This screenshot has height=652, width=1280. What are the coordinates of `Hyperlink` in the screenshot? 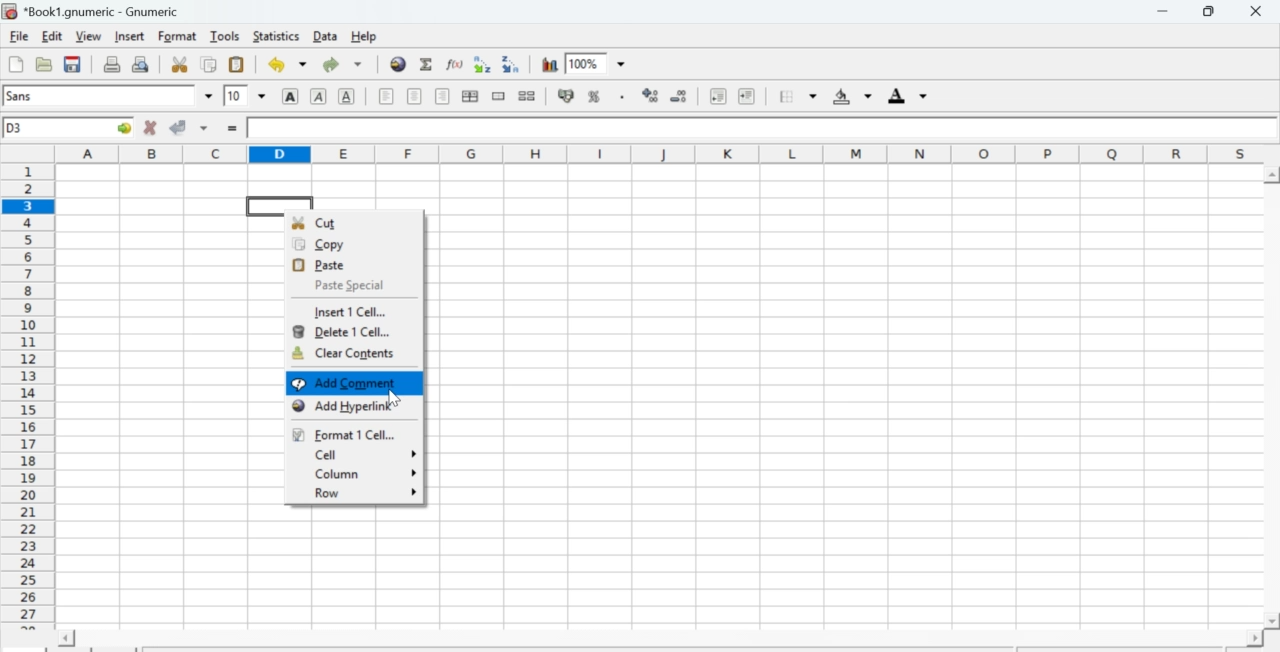 It's located at (398, 65).